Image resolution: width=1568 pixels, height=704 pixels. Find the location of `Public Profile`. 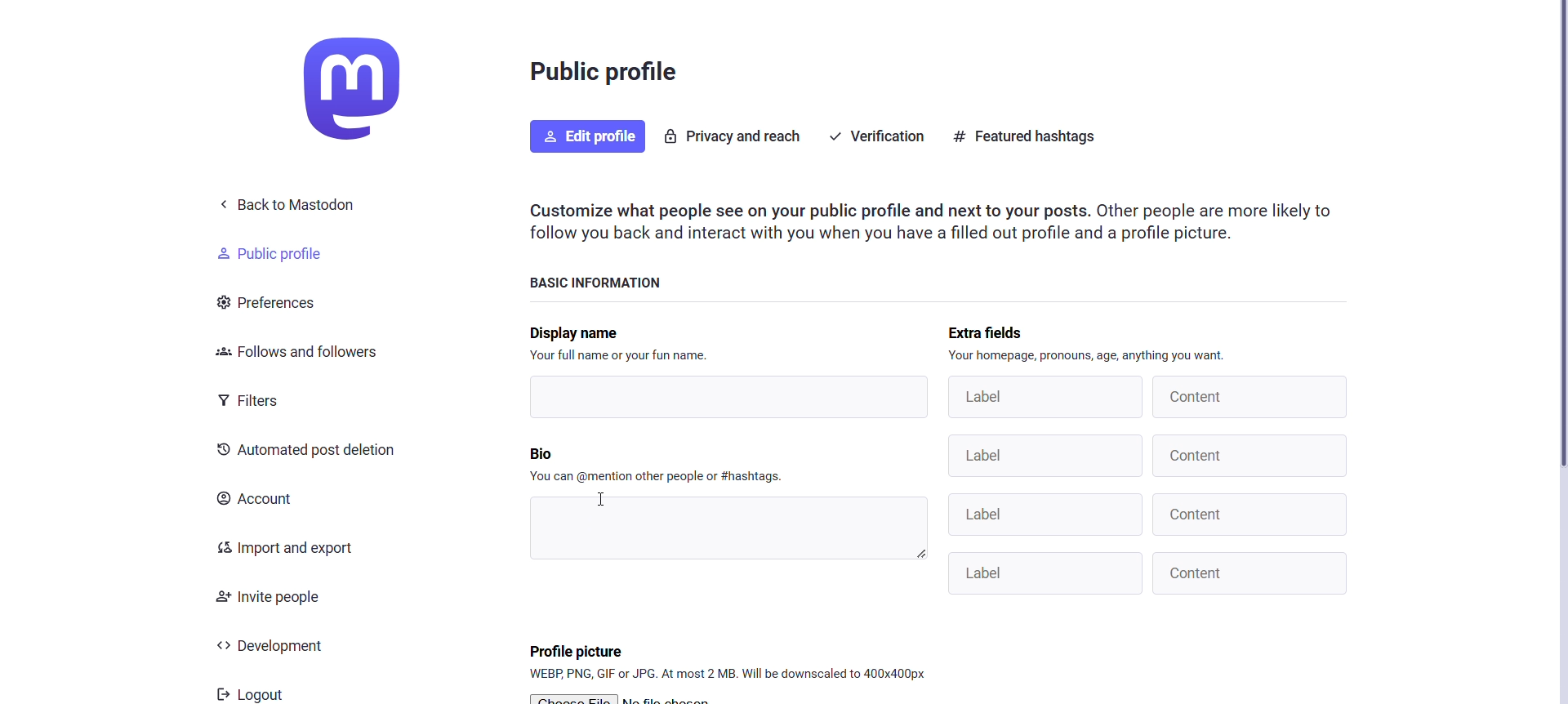

Public Profile is located at coordinates (607, 76).